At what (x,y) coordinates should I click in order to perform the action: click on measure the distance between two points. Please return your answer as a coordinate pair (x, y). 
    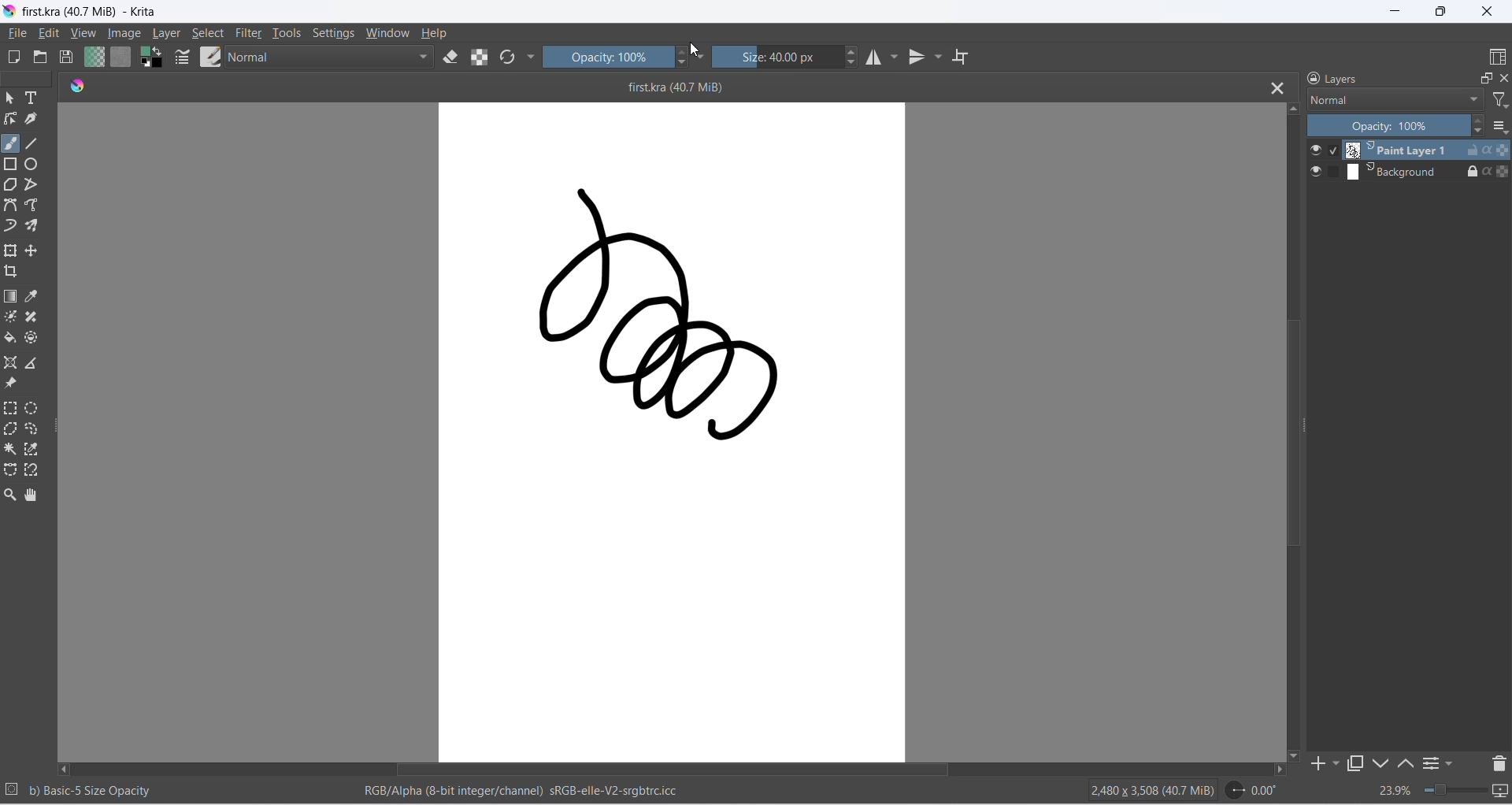
    Looking at the image, I should click on (31, 363).